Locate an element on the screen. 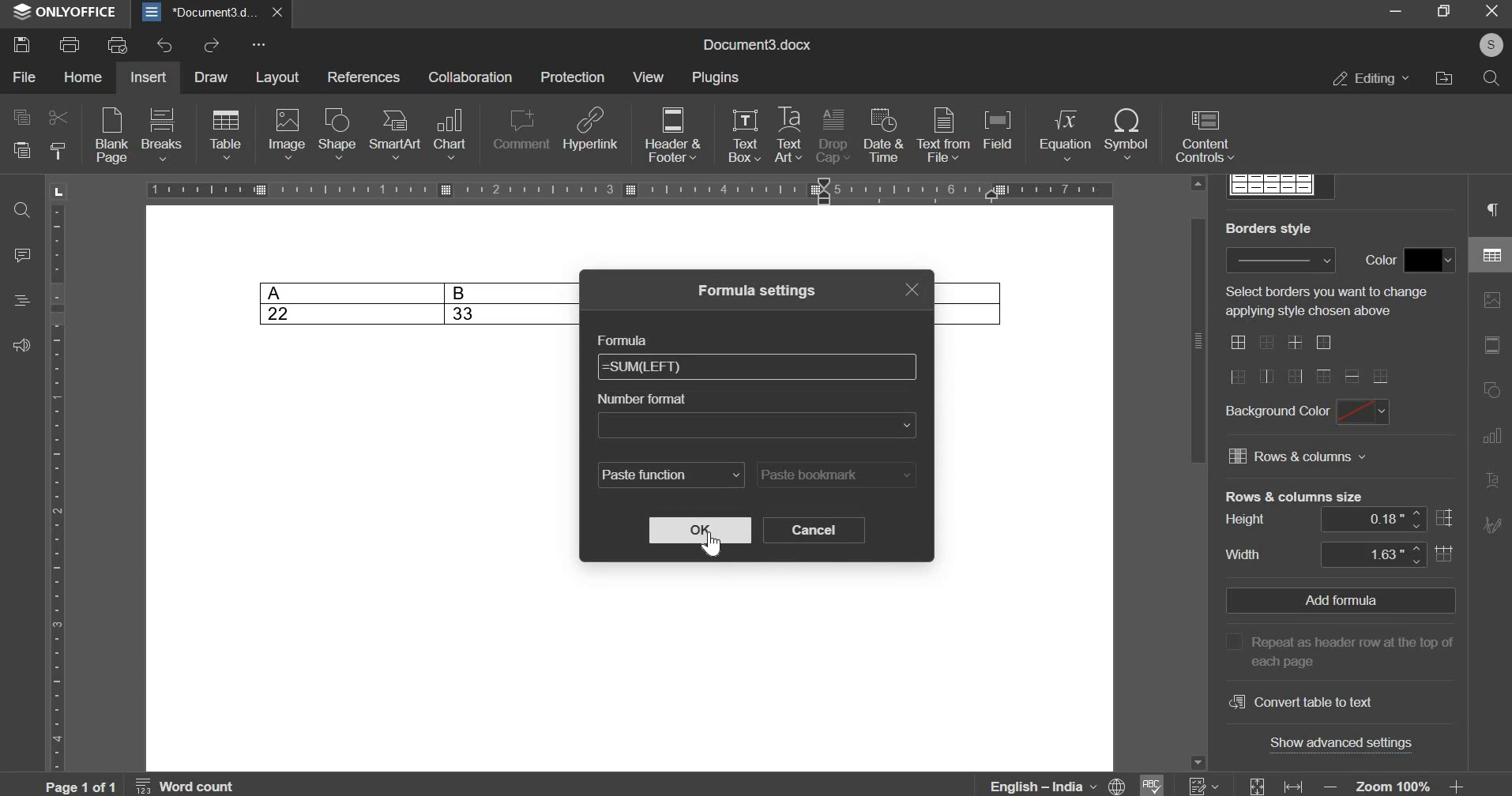  Repeat as header row at the top of each page is located at coordinates (1337, 650).